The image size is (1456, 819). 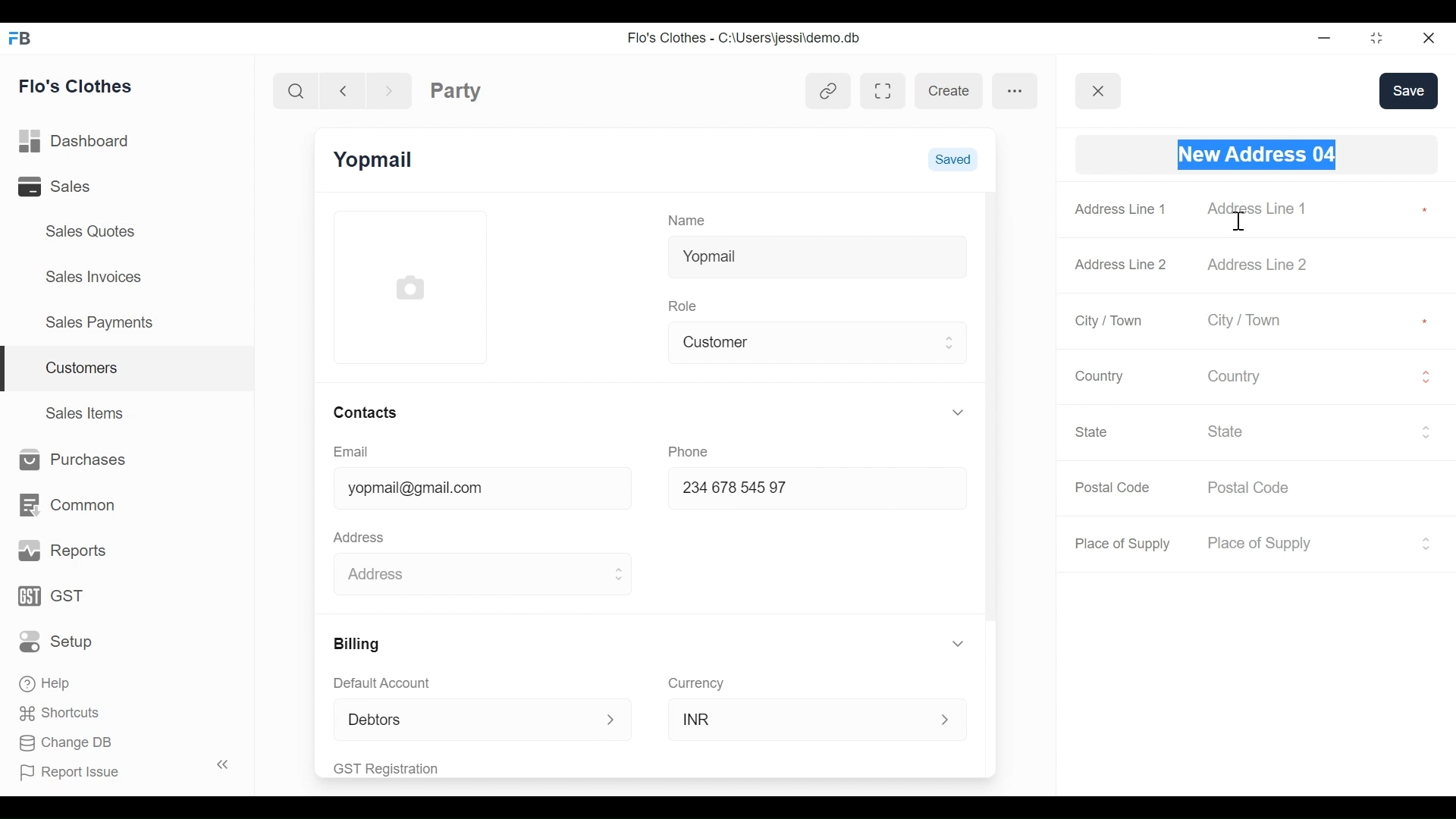 I want to click on Email, so click(x=352, y=452).